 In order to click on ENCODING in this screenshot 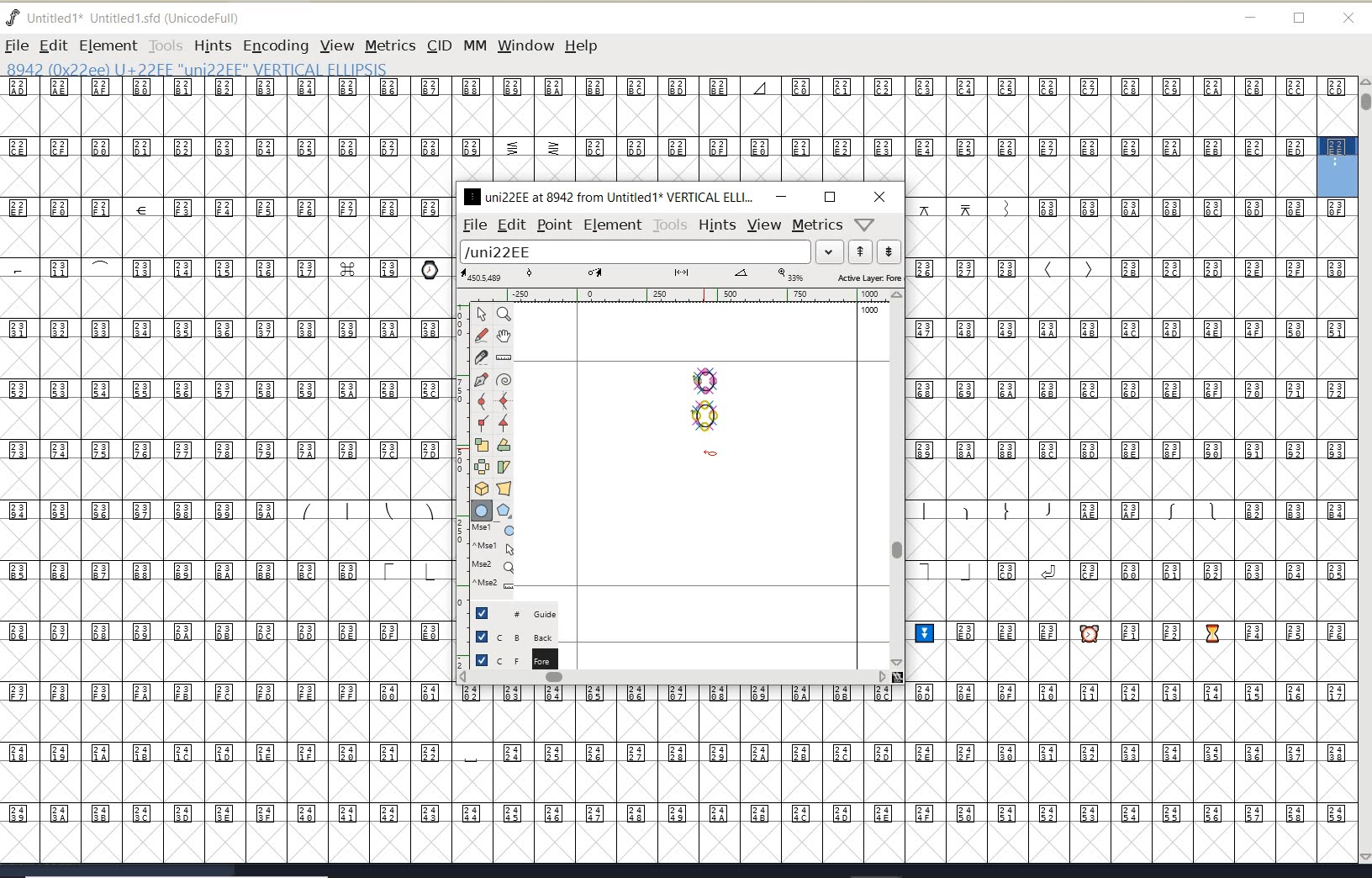, I will do `click(276, 46)`.